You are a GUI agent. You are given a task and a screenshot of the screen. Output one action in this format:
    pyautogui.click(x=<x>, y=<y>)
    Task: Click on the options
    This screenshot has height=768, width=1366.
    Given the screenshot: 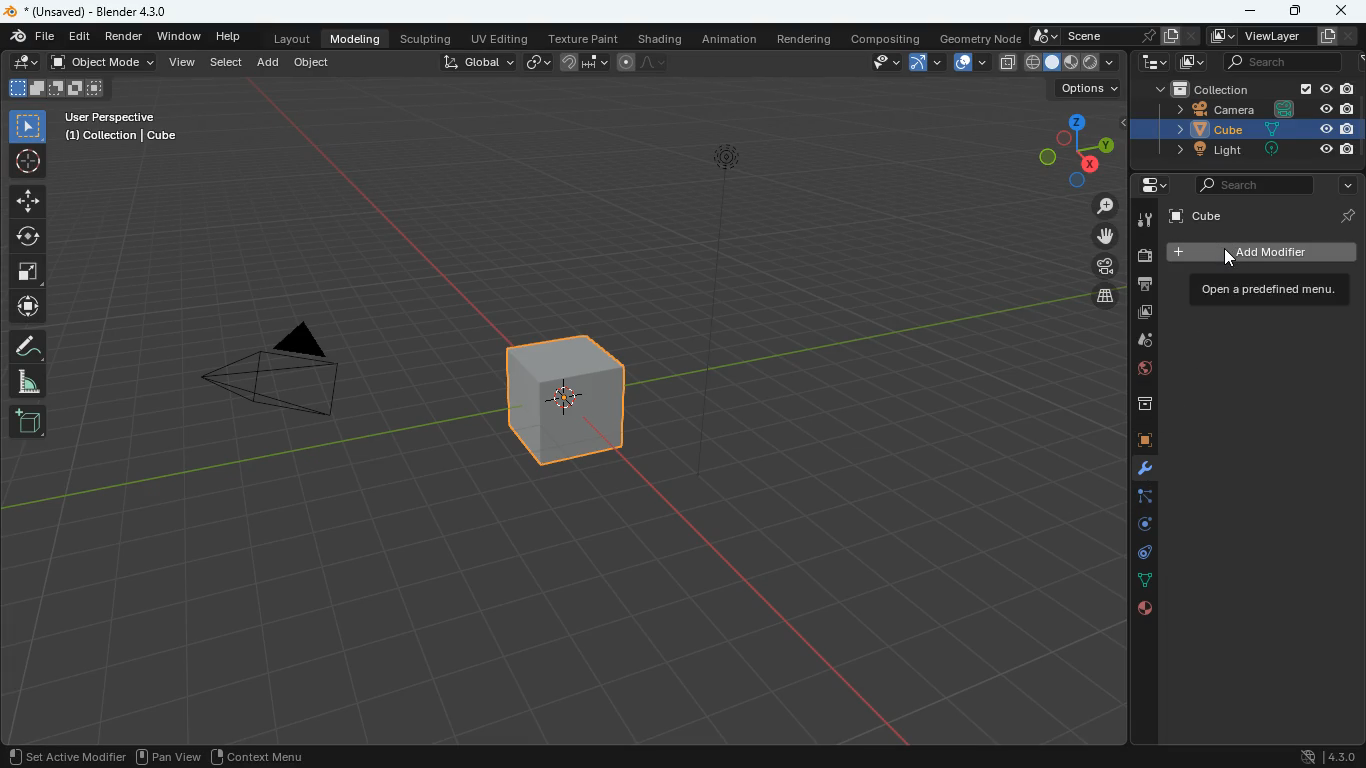 What is the action you would take?
    pyautogui.click(x=1088, y=89)
    